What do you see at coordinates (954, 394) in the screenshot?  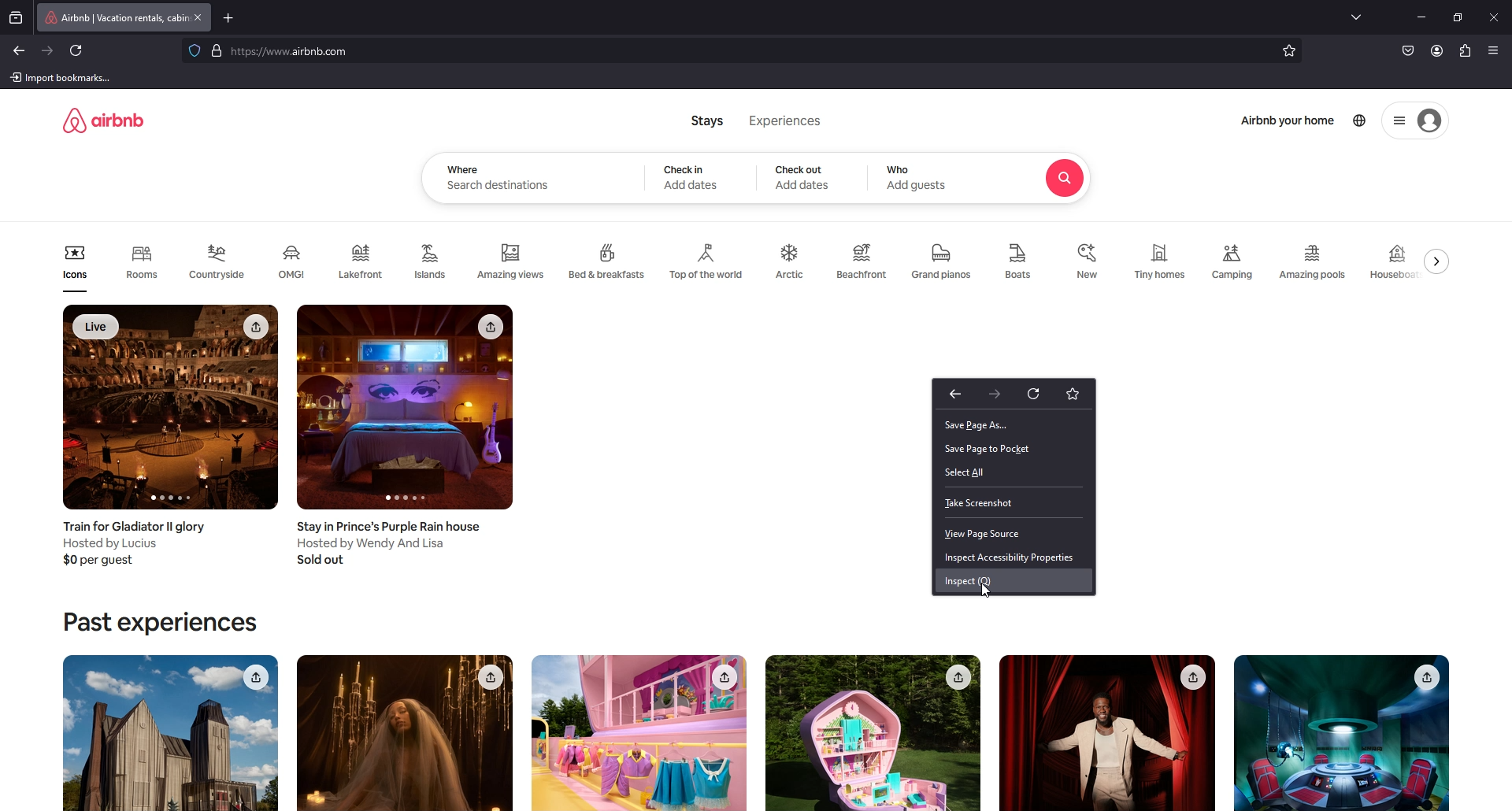 I see `back` at bounding box center [954, 394].